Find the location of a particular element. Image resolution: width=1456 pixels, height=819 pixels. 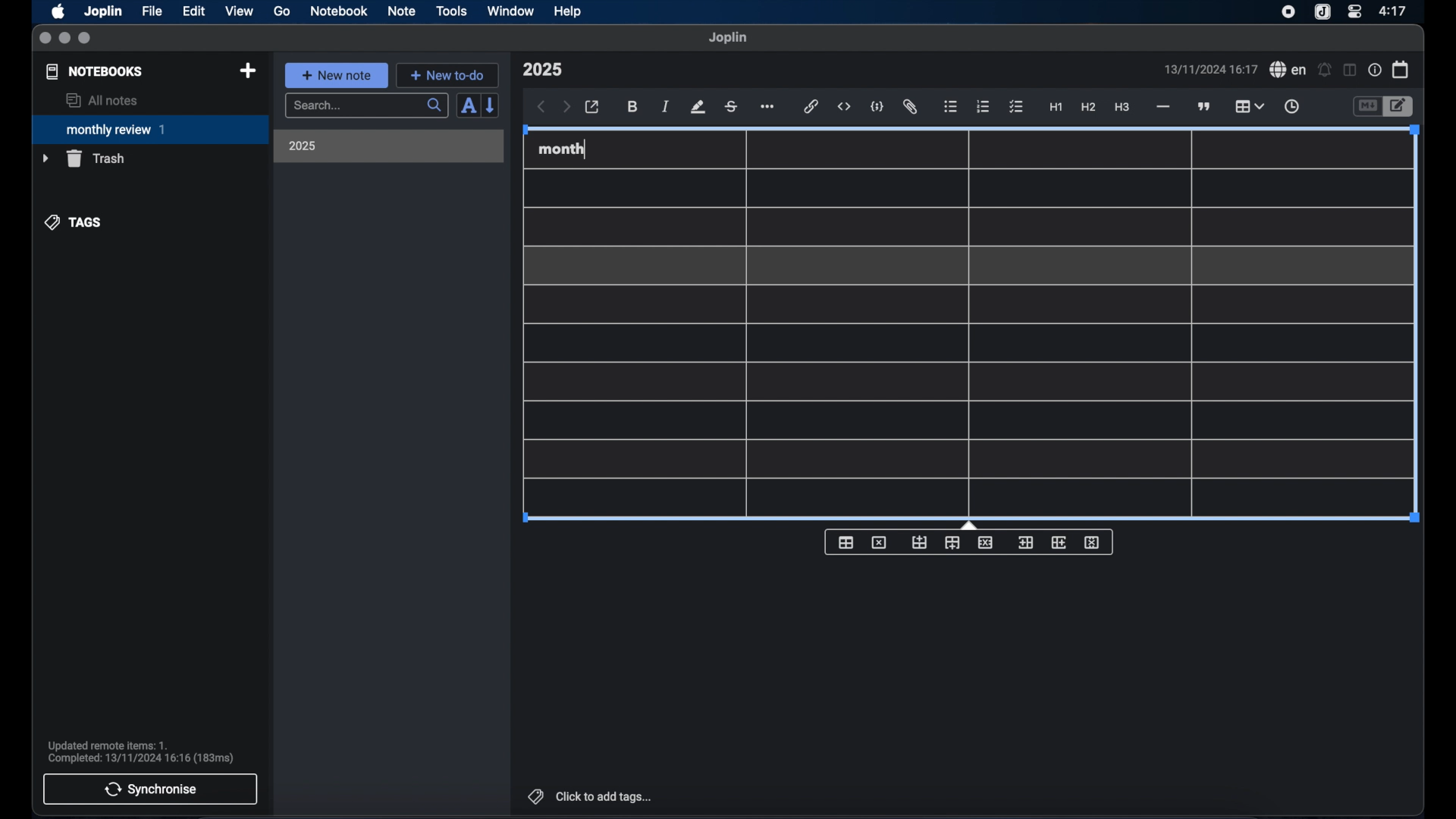

open in external editor is located at coordinates (593, 108).